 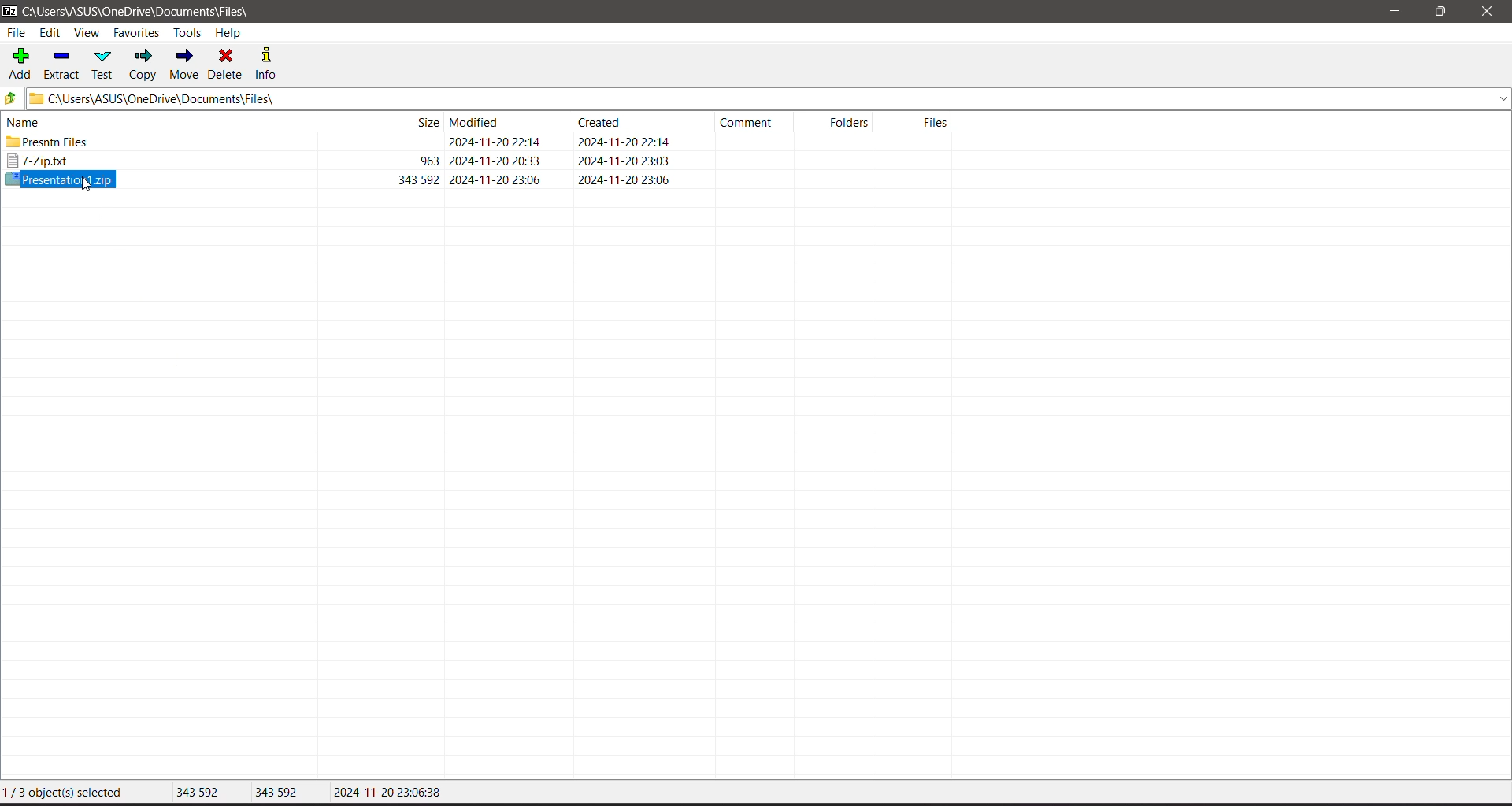 I want to click on Help, so click(x=228, y=33).